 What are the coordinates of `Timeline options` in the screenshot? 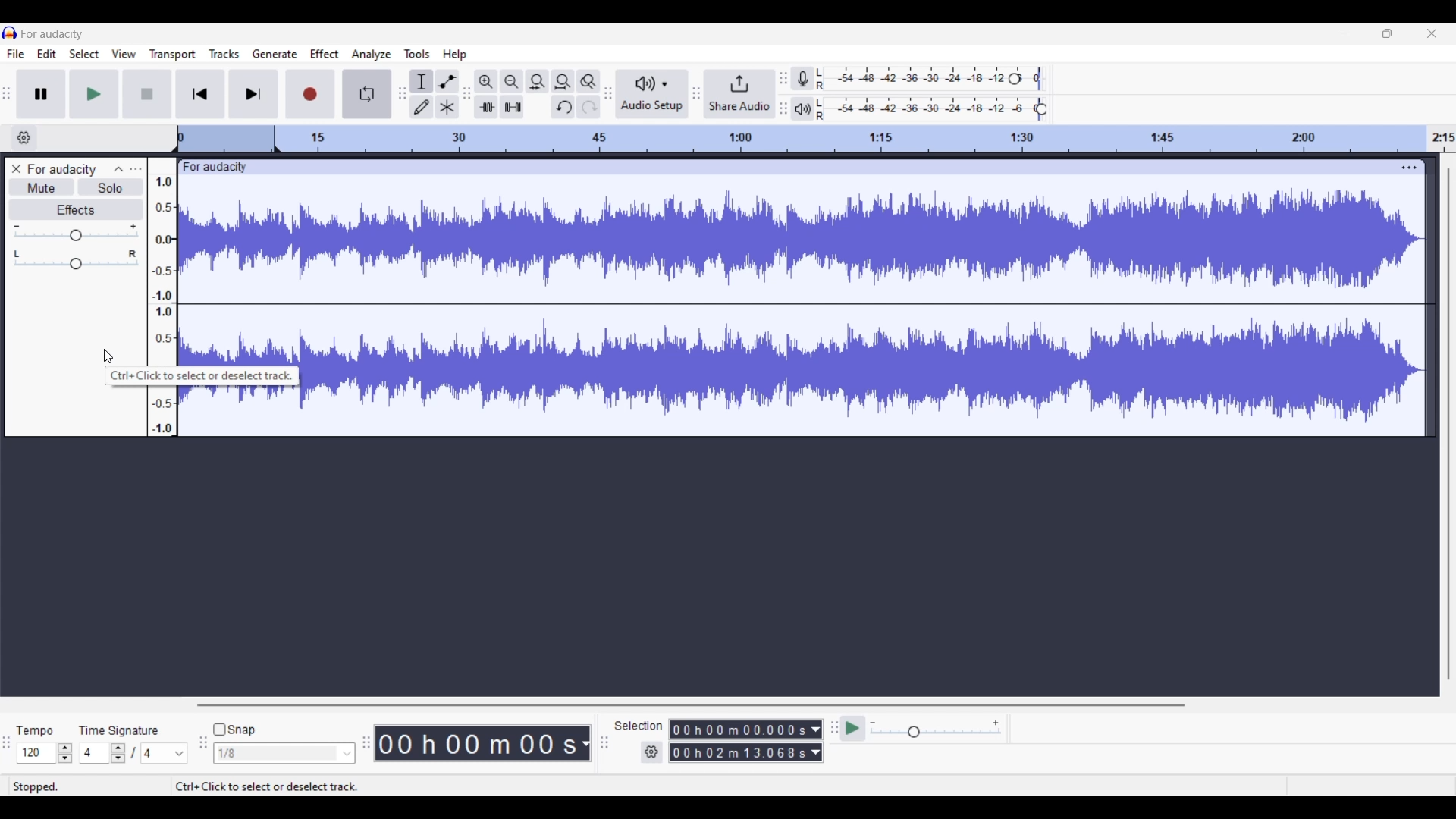 It's located at (25, 137).